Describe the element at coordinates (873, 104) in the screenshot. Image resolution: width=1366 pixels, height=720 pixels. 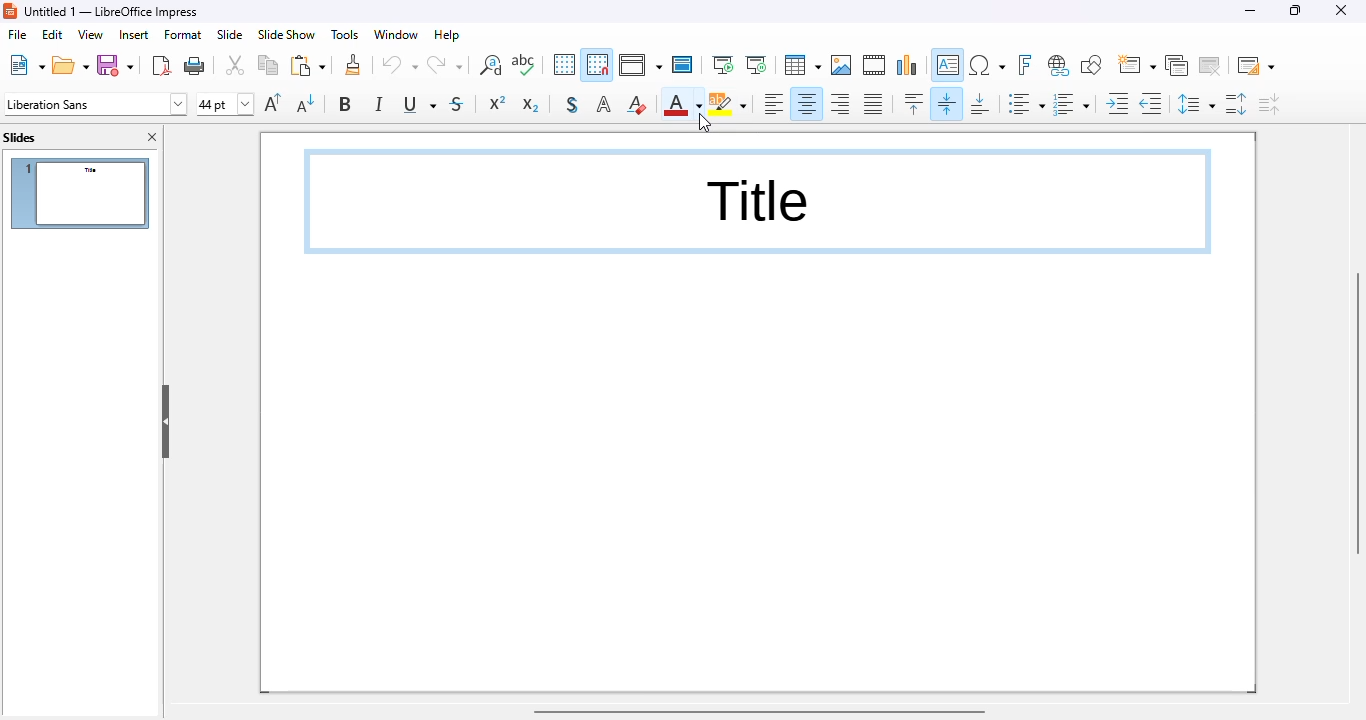
I see `justified` at that location.